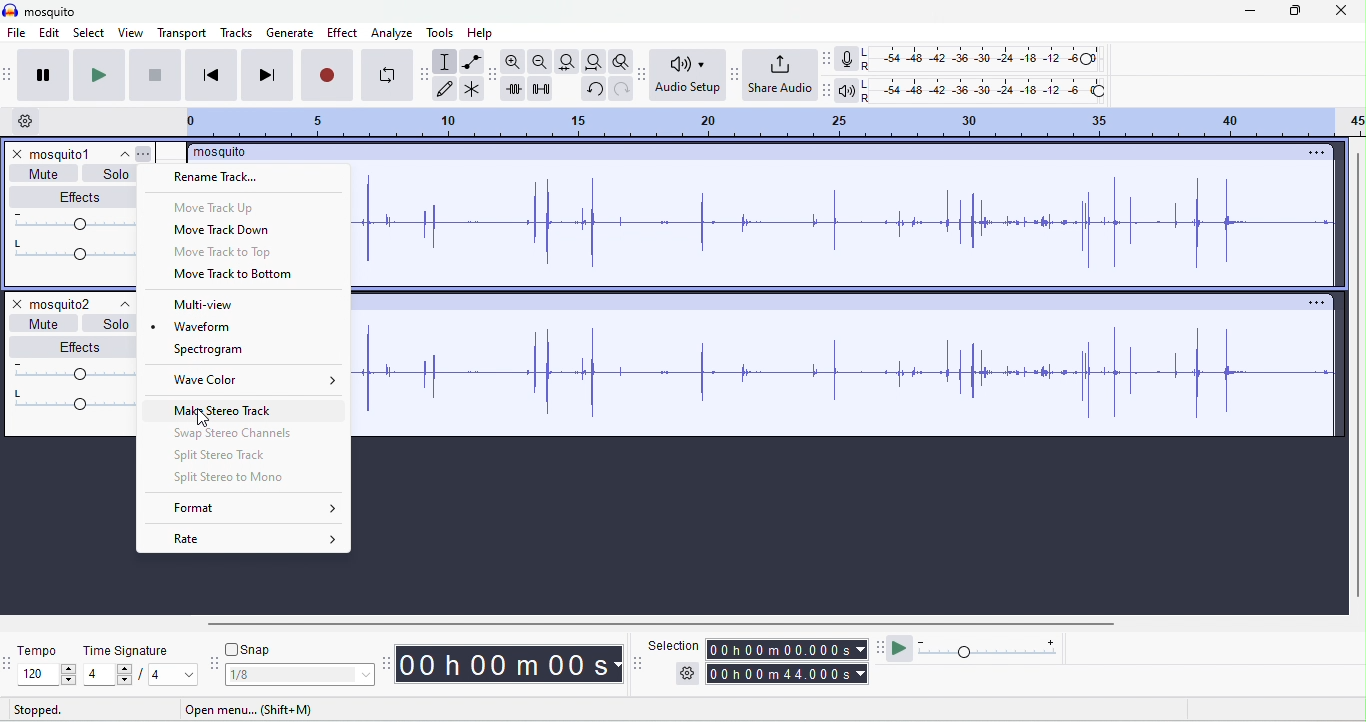 The image size is (1366, 722). I want to click on view, so click(132, 34).